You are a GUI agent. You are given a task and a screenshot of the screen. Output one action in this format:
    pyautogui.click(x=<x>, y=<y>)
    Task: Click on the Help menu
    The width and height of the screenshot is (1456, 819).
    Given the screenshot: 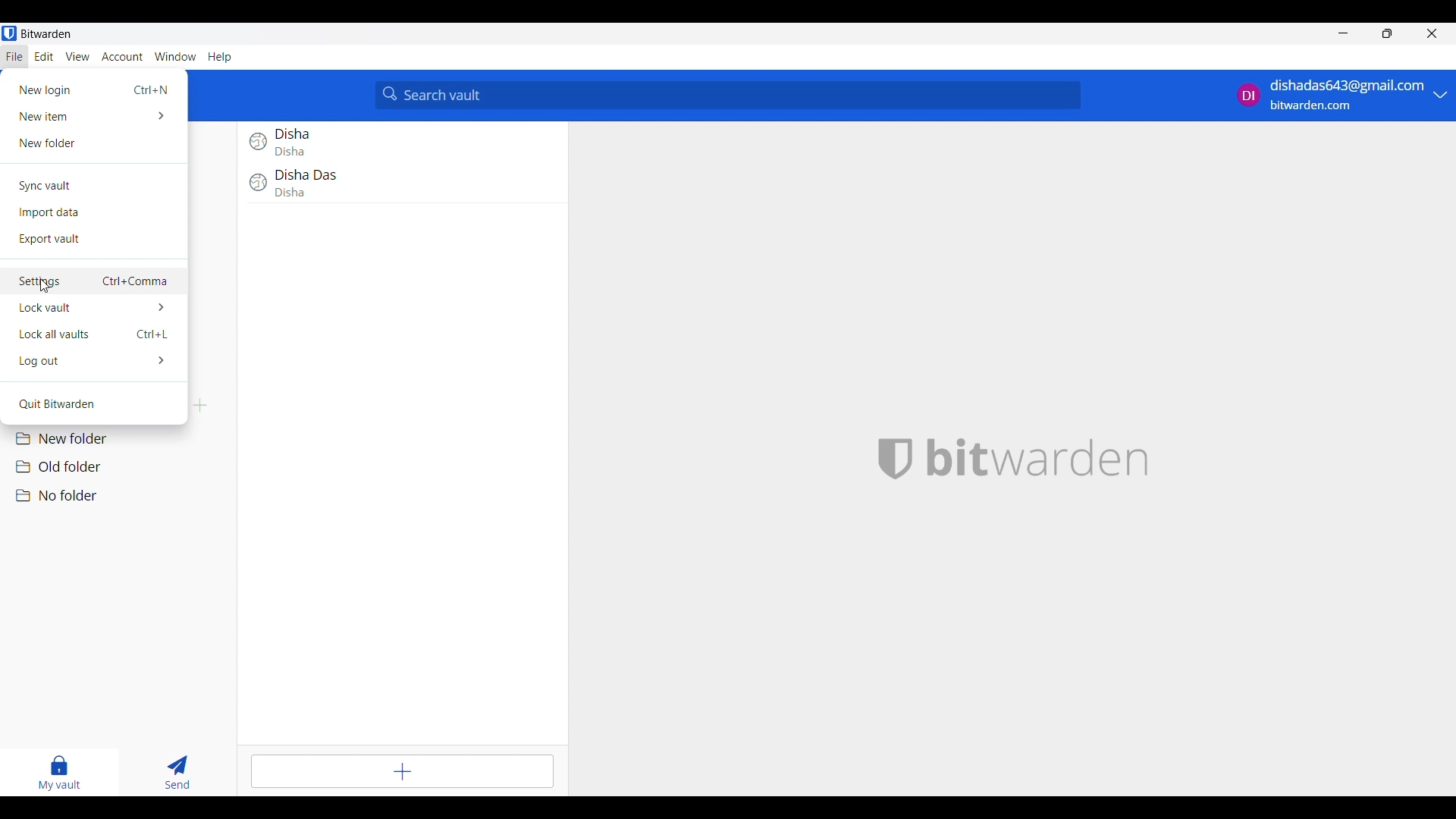 What is the action you would take?
    pyautogui.click(x=221, y=58)
    